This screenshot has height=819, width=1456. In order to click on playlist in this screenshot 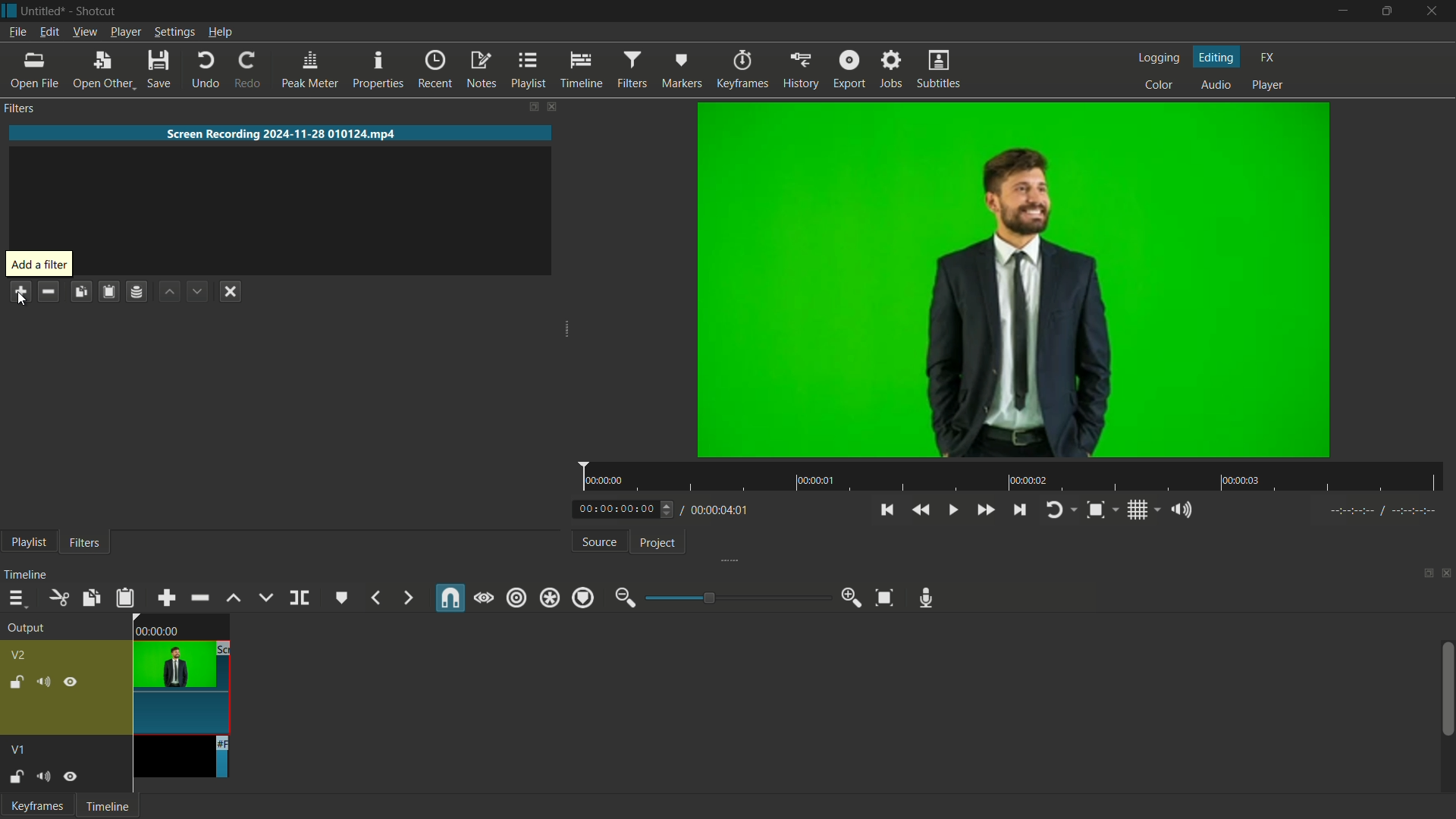, I will do `click(527, 71)`.